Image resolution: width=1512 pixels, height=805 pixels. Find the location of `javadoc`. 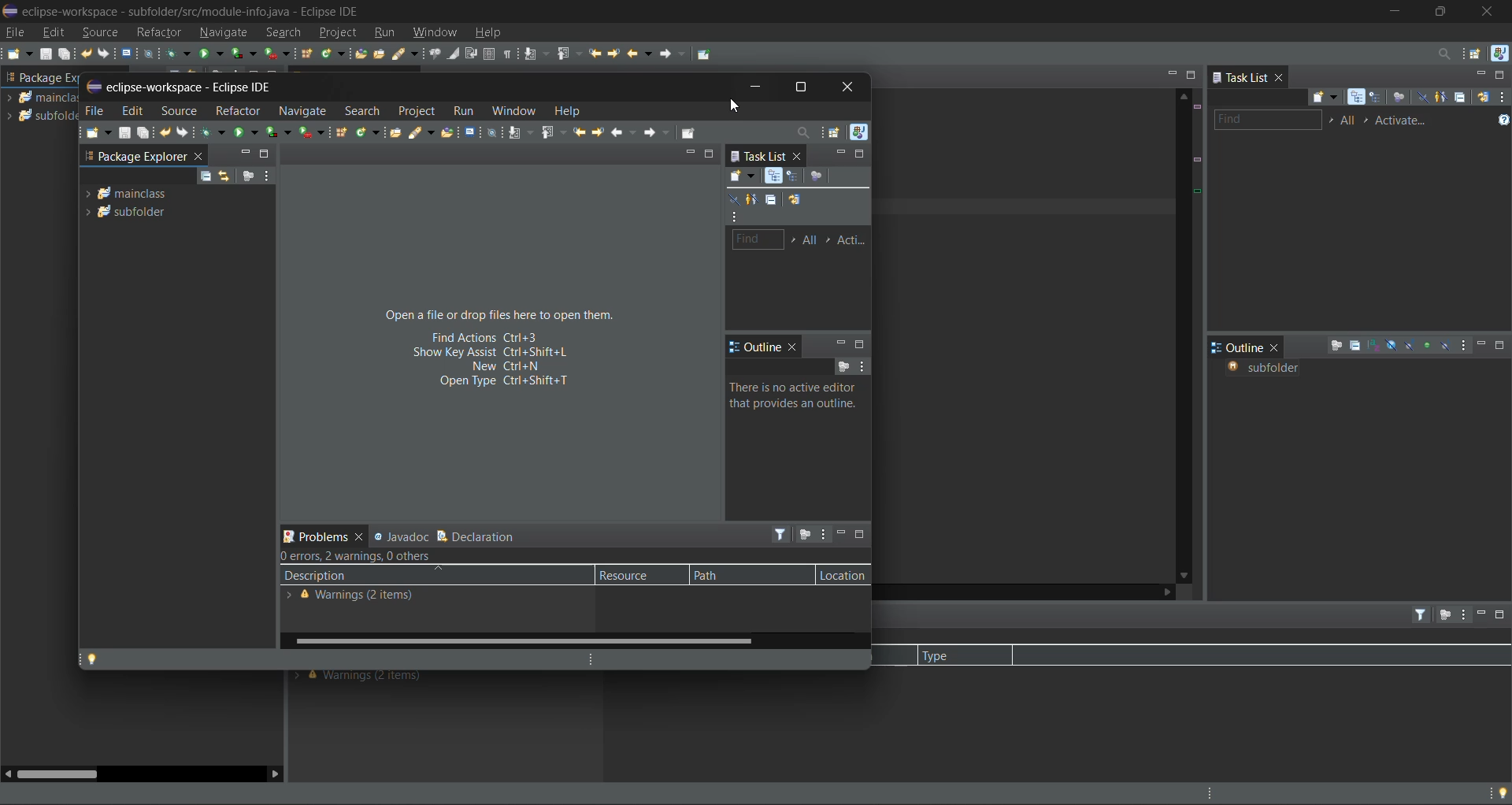

javadoc is located at coordinates (401, 538).